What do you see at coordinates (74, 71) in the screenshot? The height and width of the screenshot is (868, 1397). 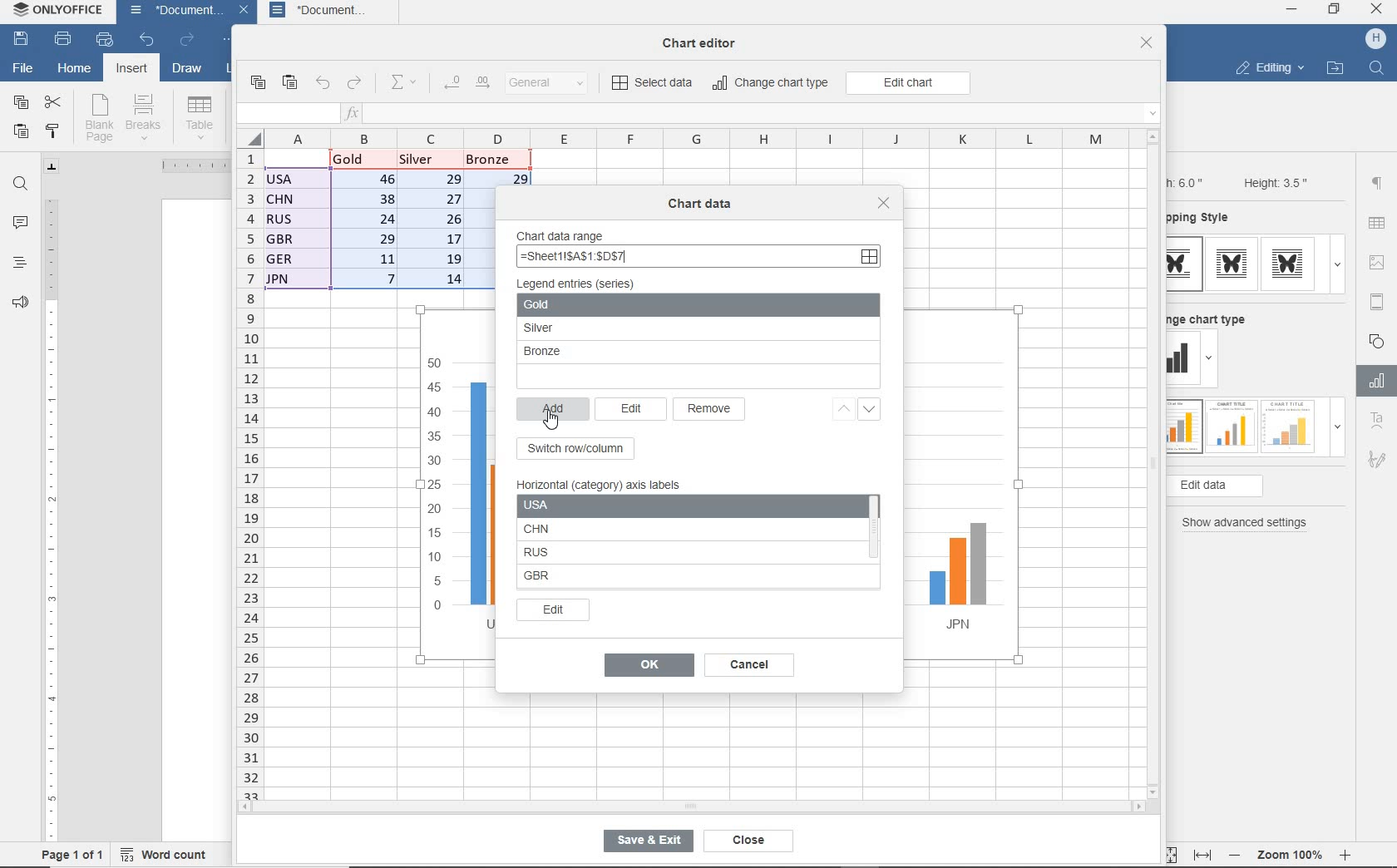 I see `home` at bounding box center [74, 71].